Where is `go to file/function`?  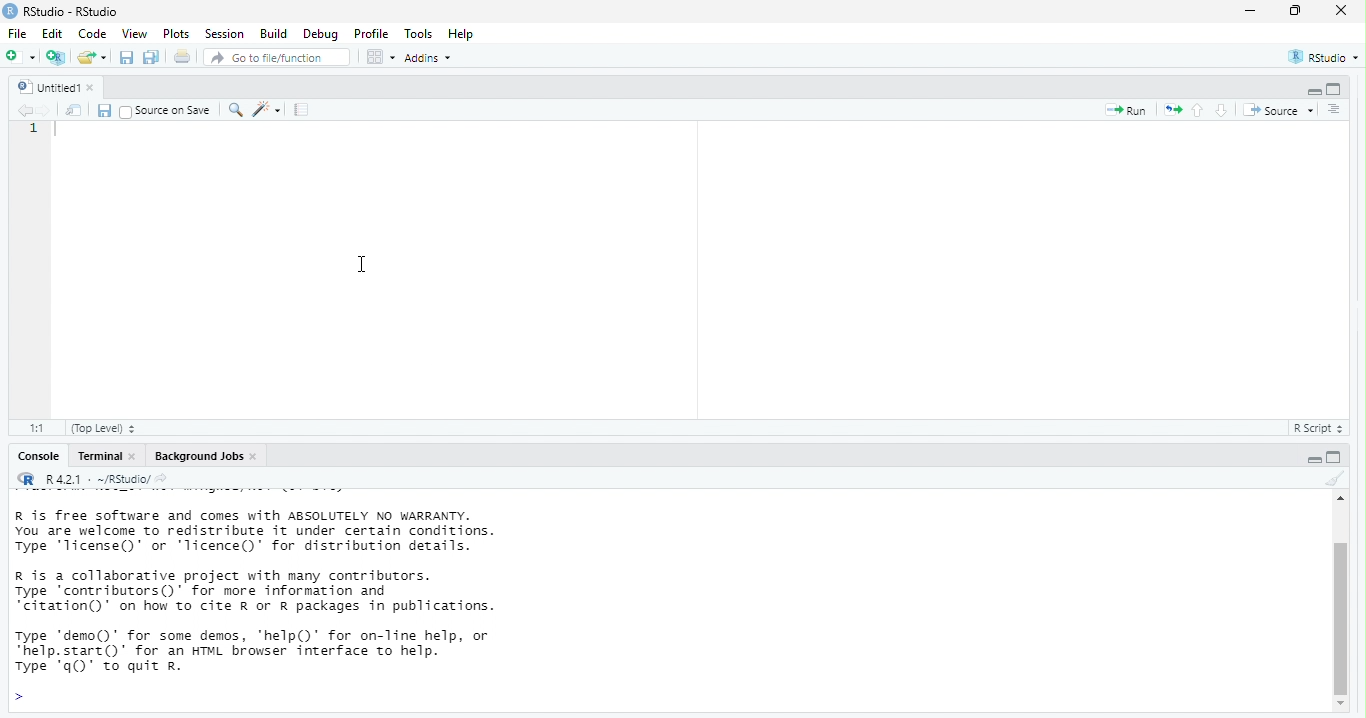
go to file/function is located at coordinates (274, 57).